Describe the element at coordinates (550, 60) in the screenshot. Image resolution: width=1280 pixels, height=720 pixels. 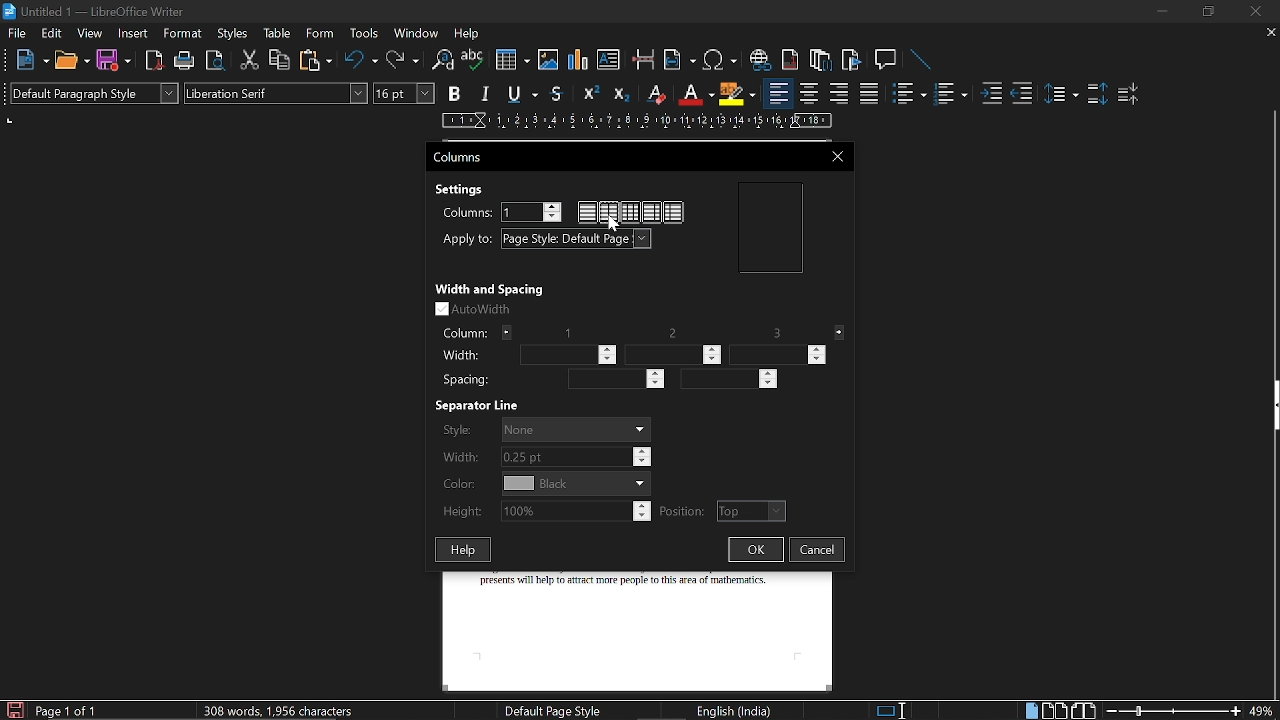
I see `Insert Image` at that location.